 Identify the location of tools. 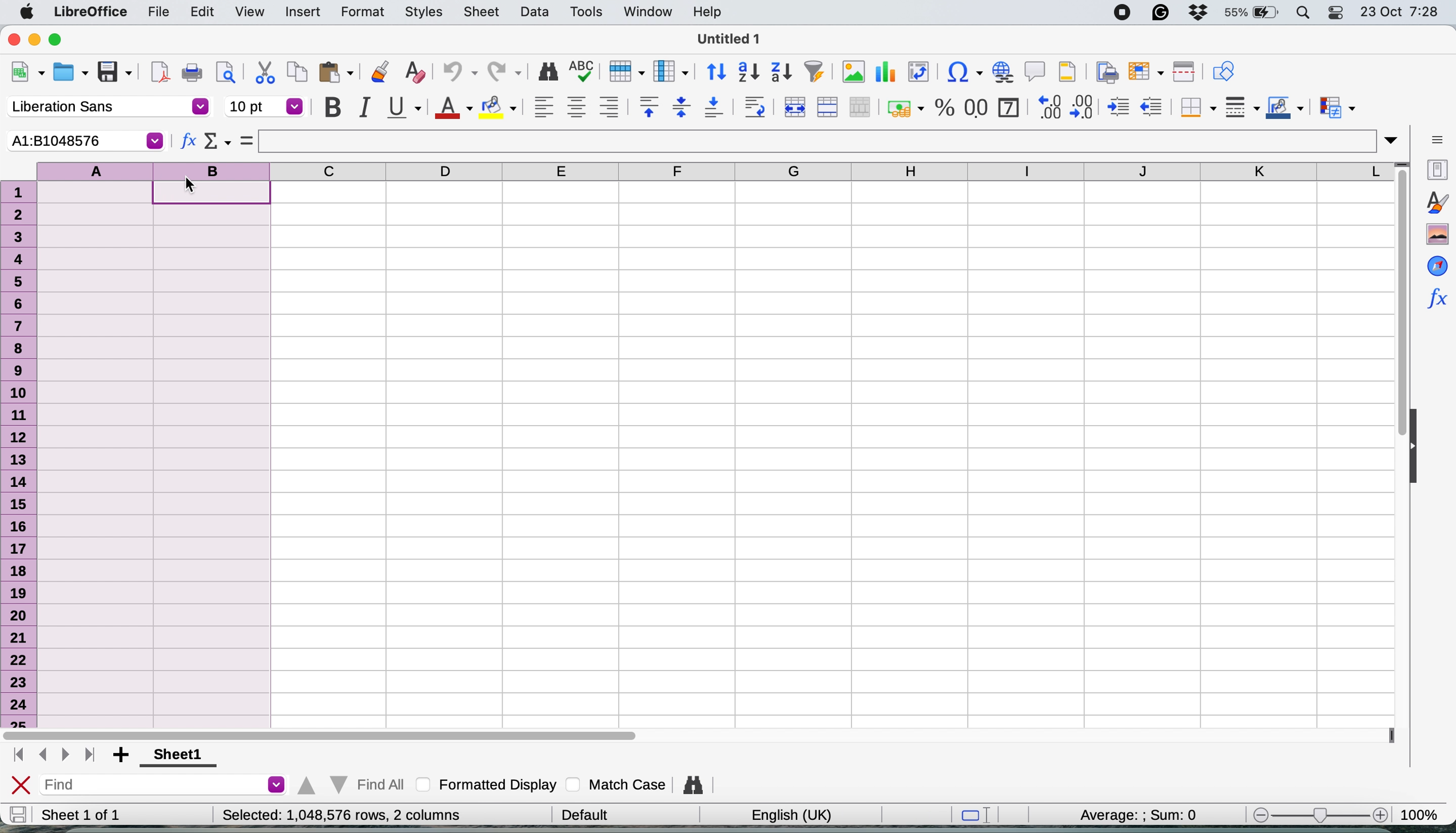
(586, 11).